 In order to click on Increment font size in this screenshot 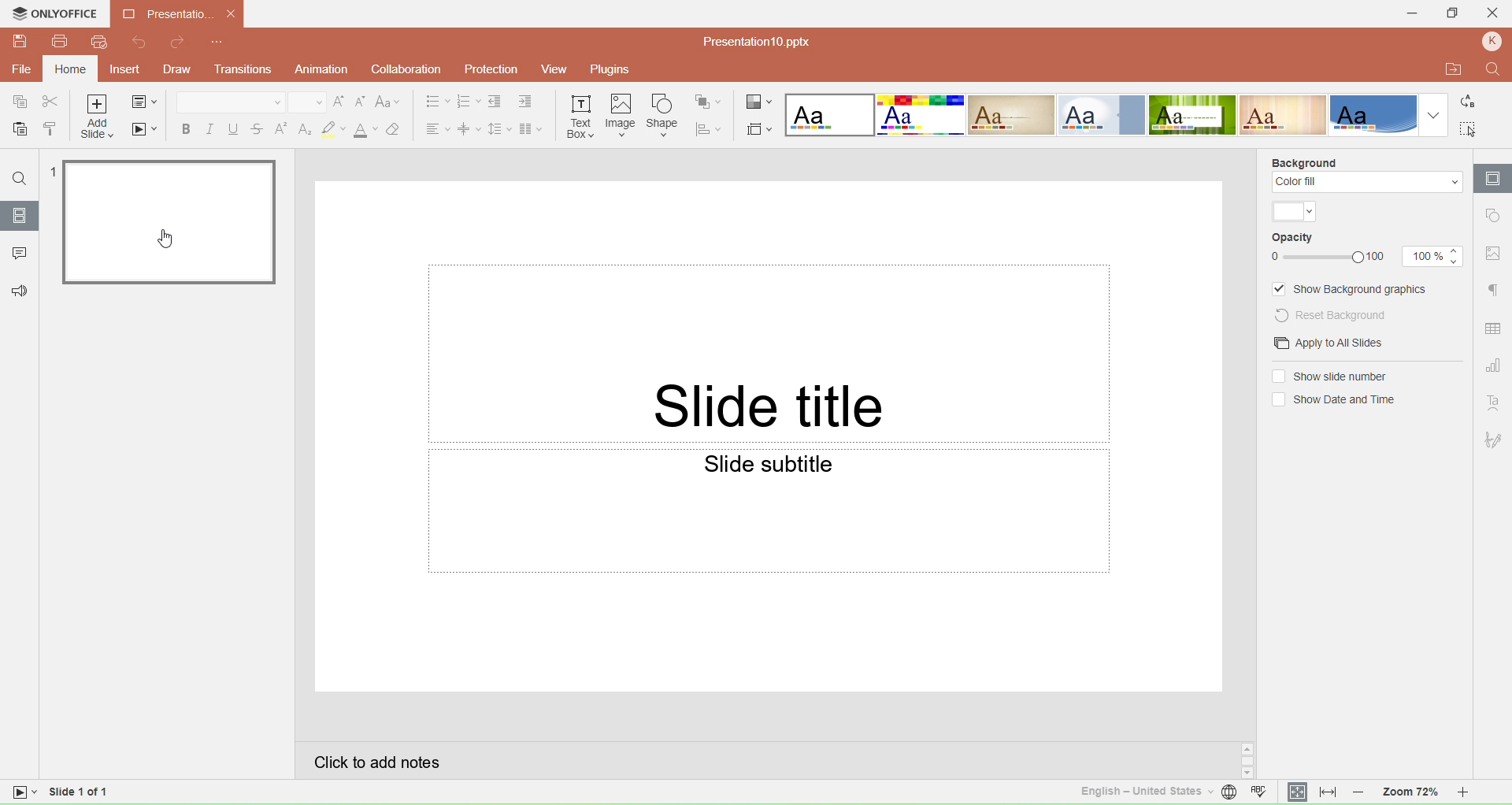, I will do `click(339, 102)`.